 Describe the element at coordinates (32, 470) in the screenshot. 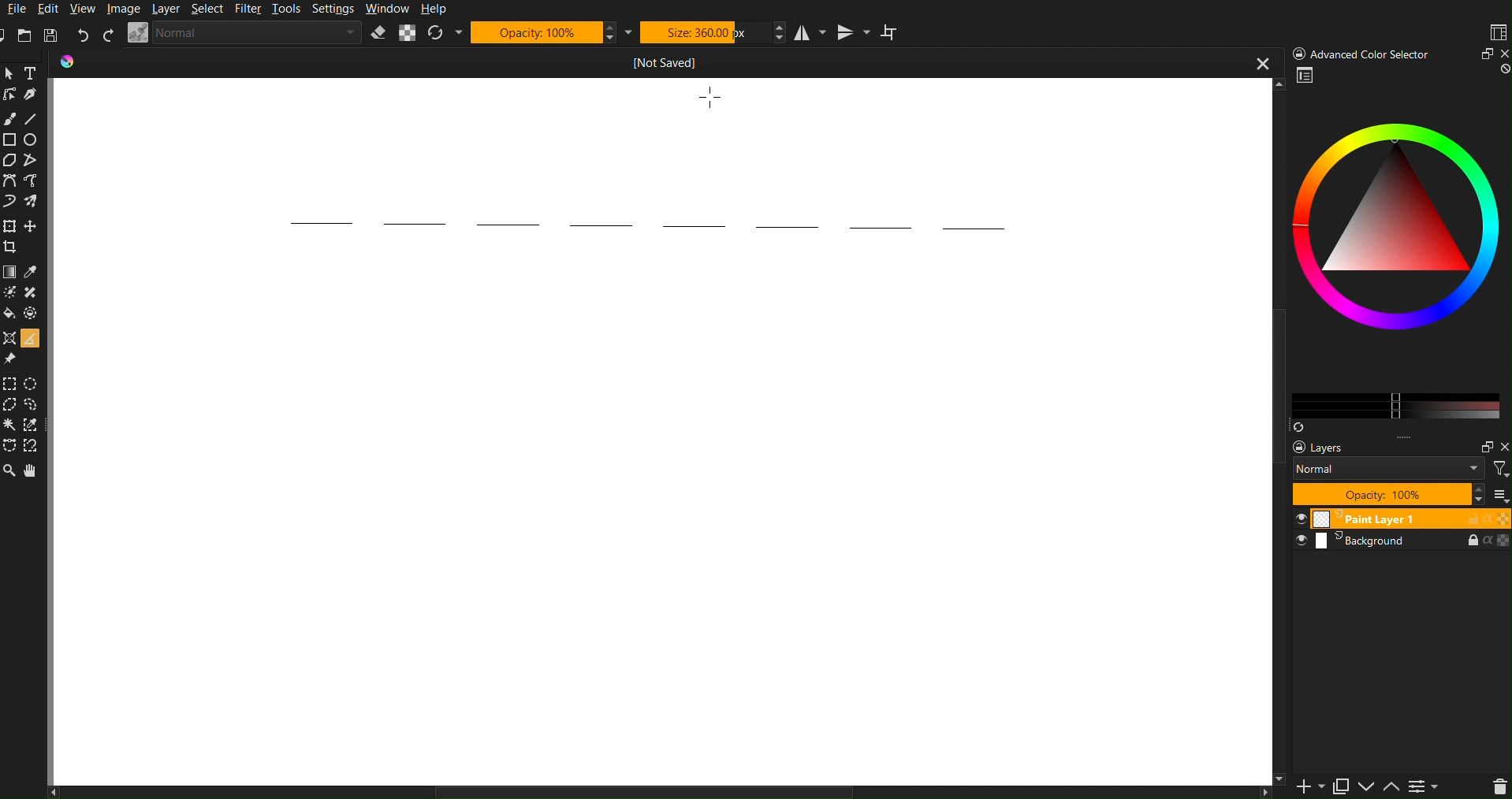

I see `Move` at that location.